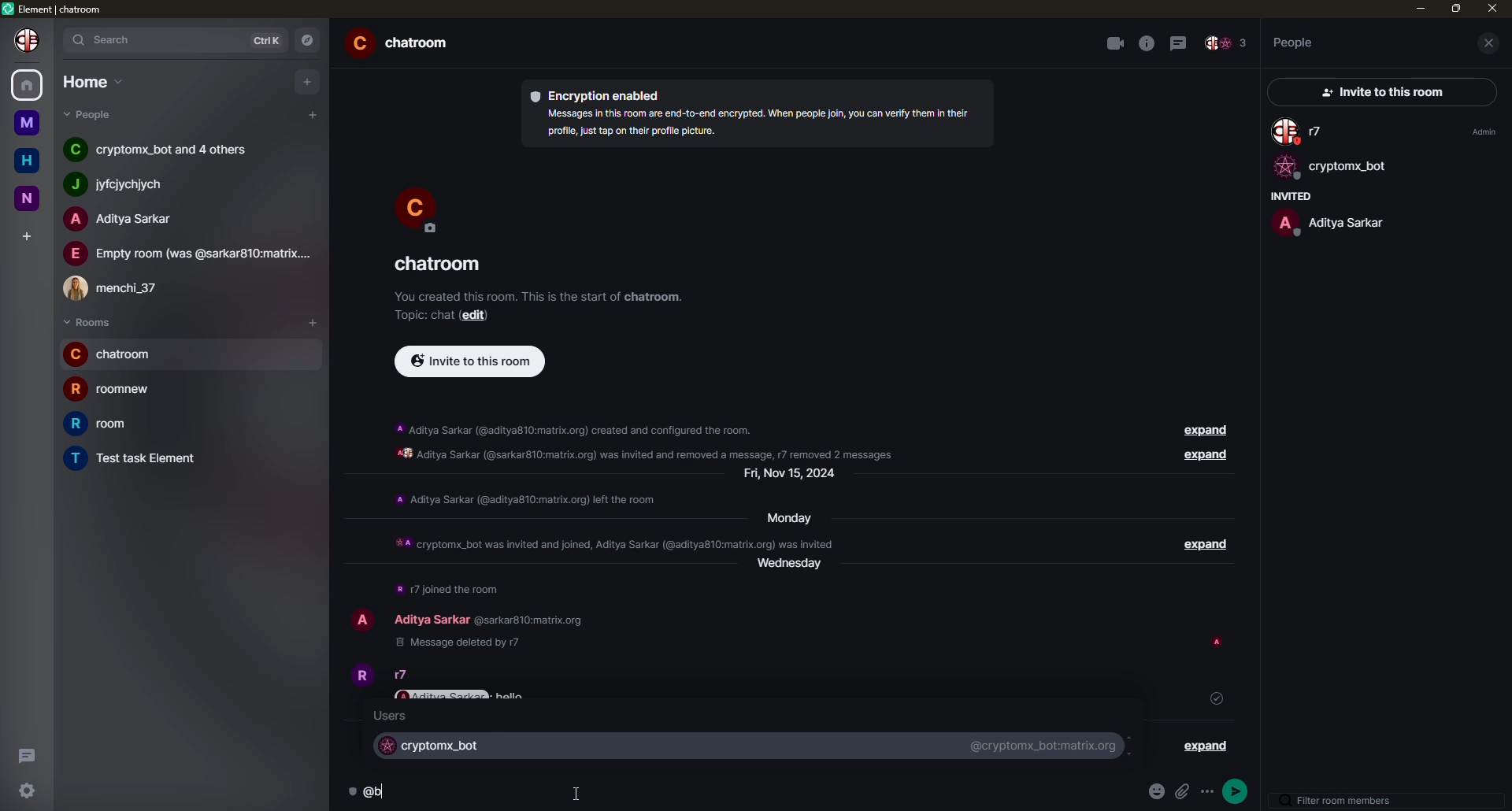 Image resolution: width=1512 pixels, height=811 pixels. I want to click on id, so click(1042, 744).